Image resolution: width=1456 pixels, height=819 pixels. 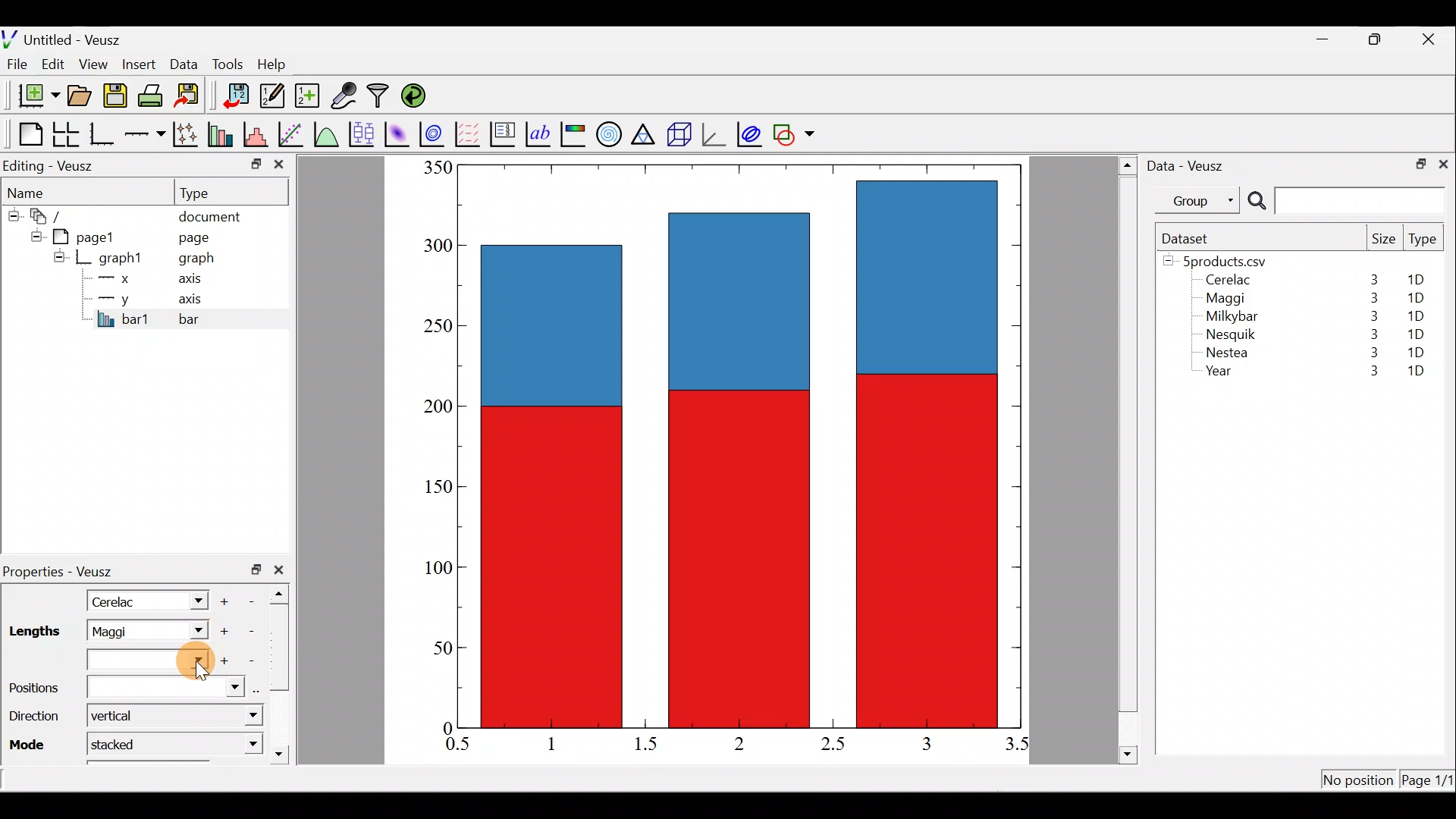 I want to click on minimize, so click(x=255, y=163).